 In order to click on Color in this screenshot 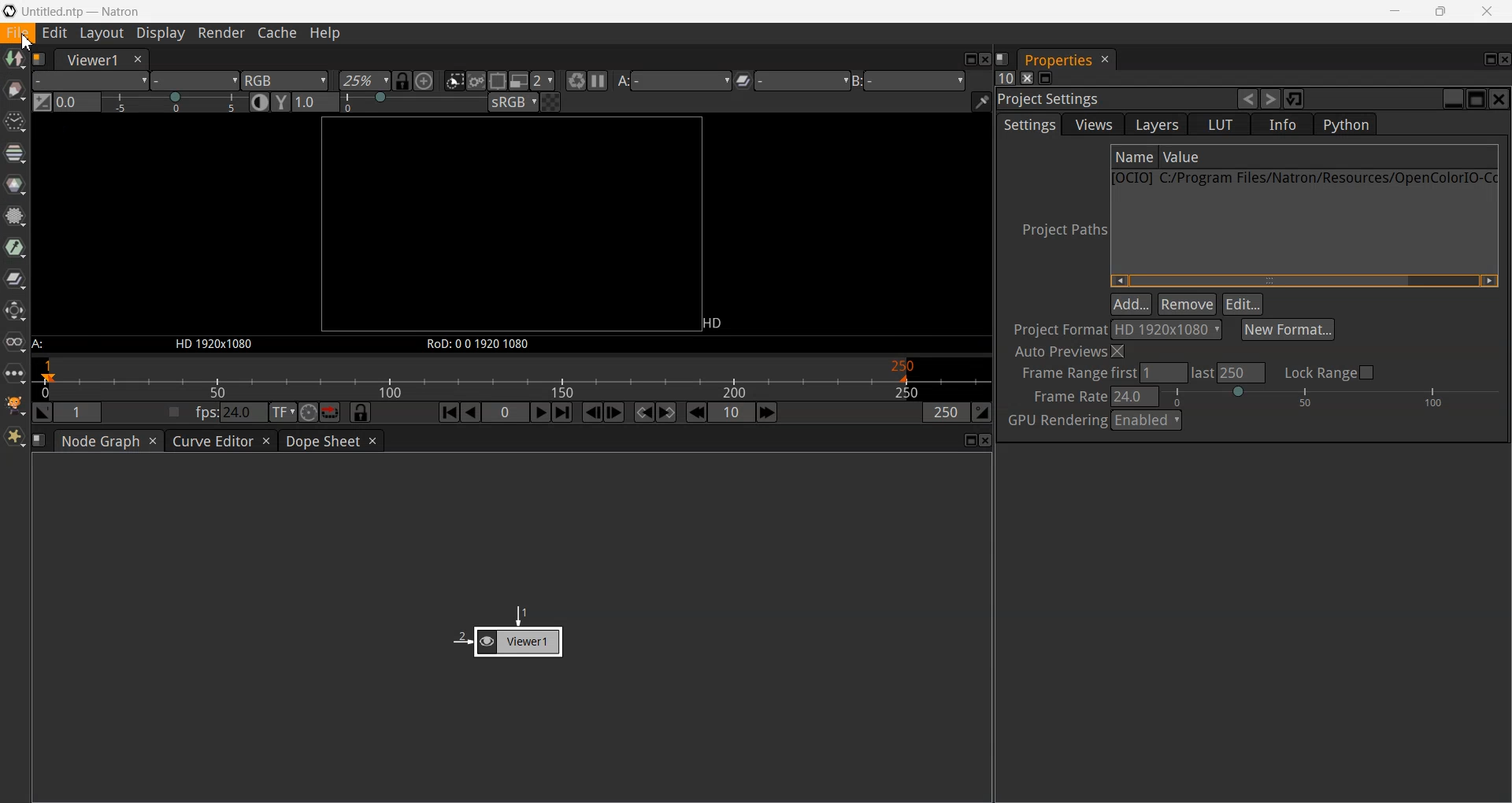, I will do `click(15, 185)`.